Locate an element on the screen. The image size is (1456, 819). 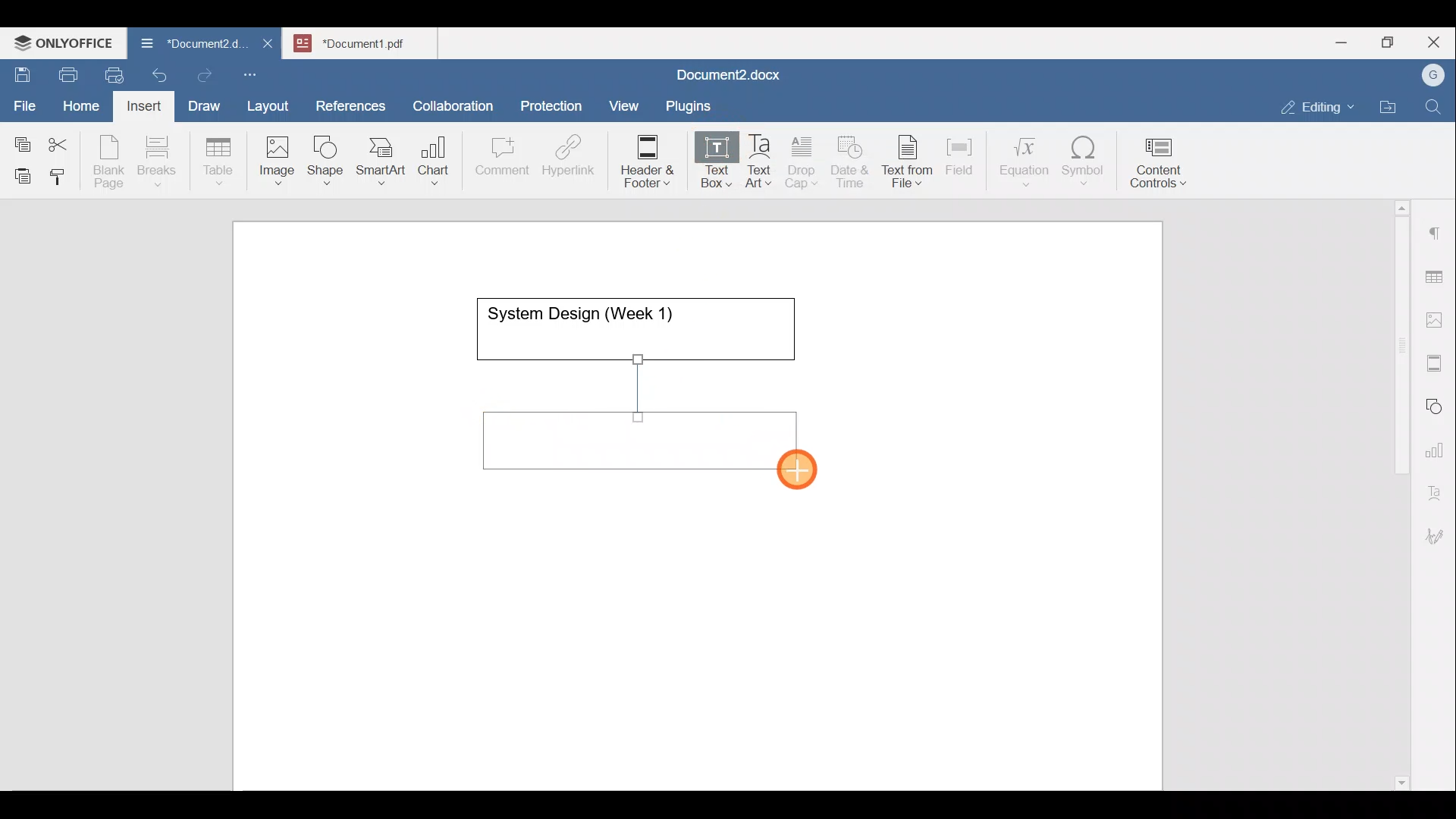
Text box is located at coordinates (706, 162).